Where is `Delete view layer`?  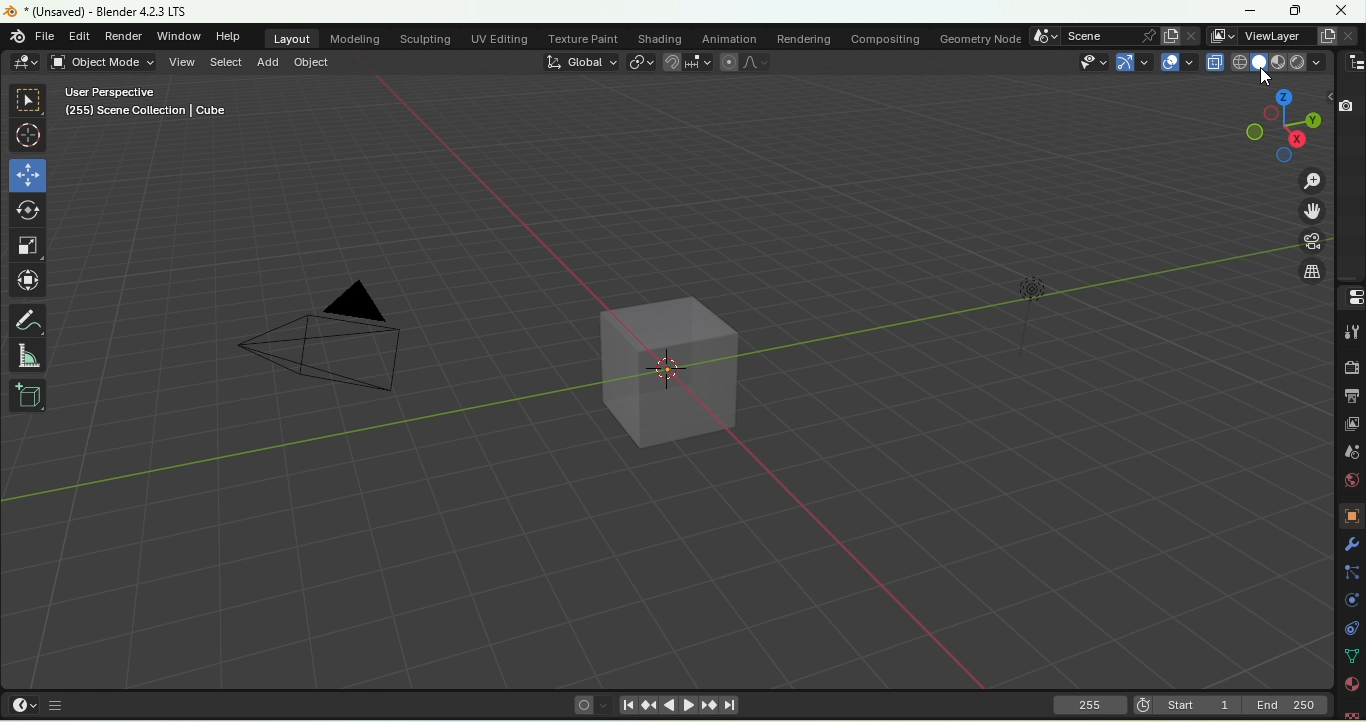 Delete view layer is located at coordinates (1351, 34).